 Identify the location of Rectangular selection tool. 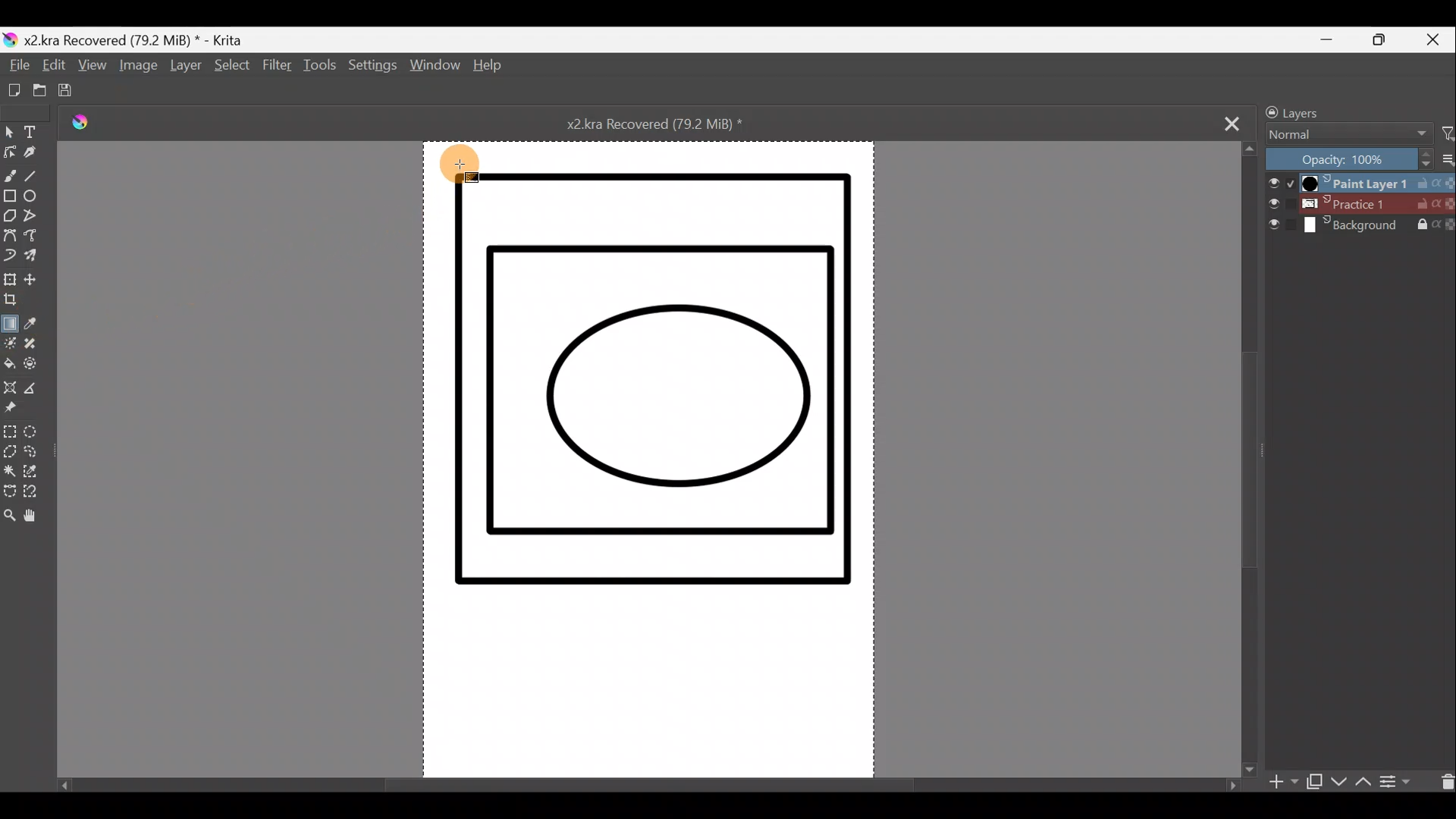
(9, 434).